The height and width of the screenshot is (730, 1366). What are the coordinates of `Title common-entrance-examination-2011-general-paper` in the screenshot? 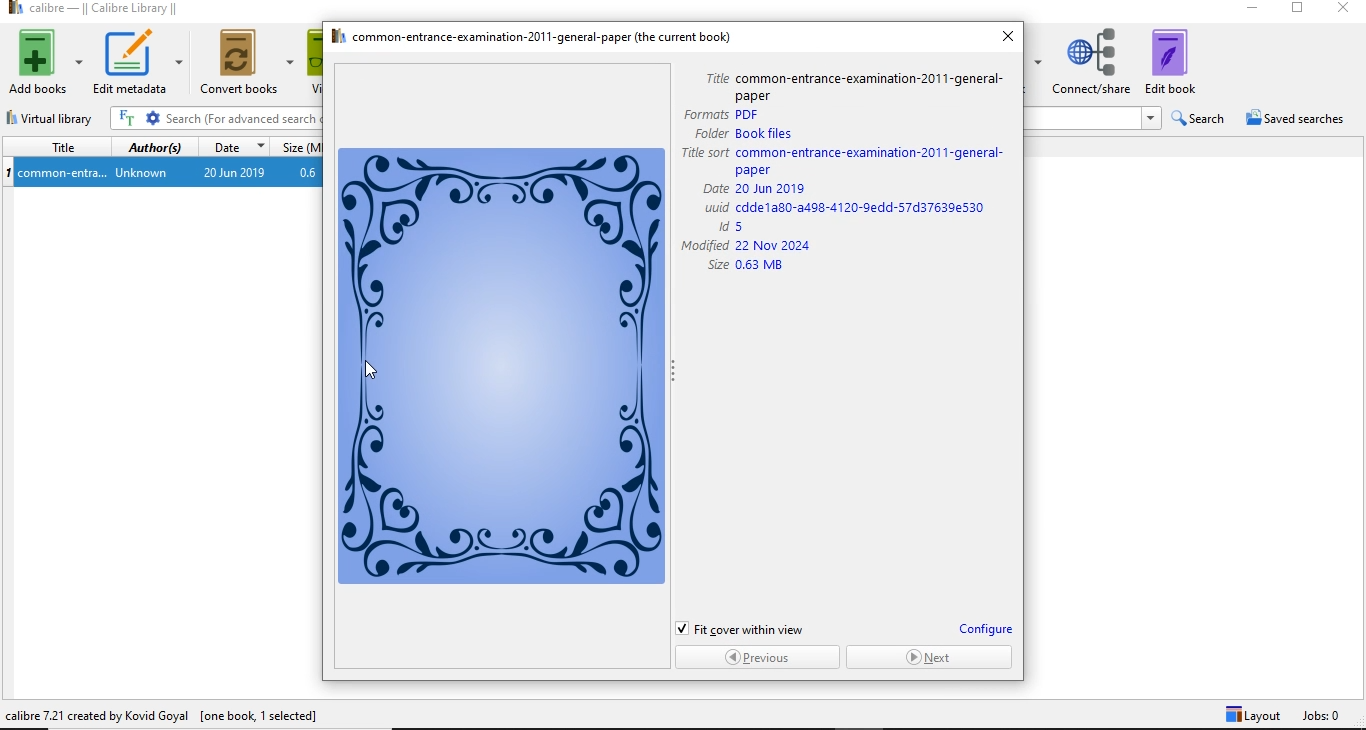 It's located at (850, 85).